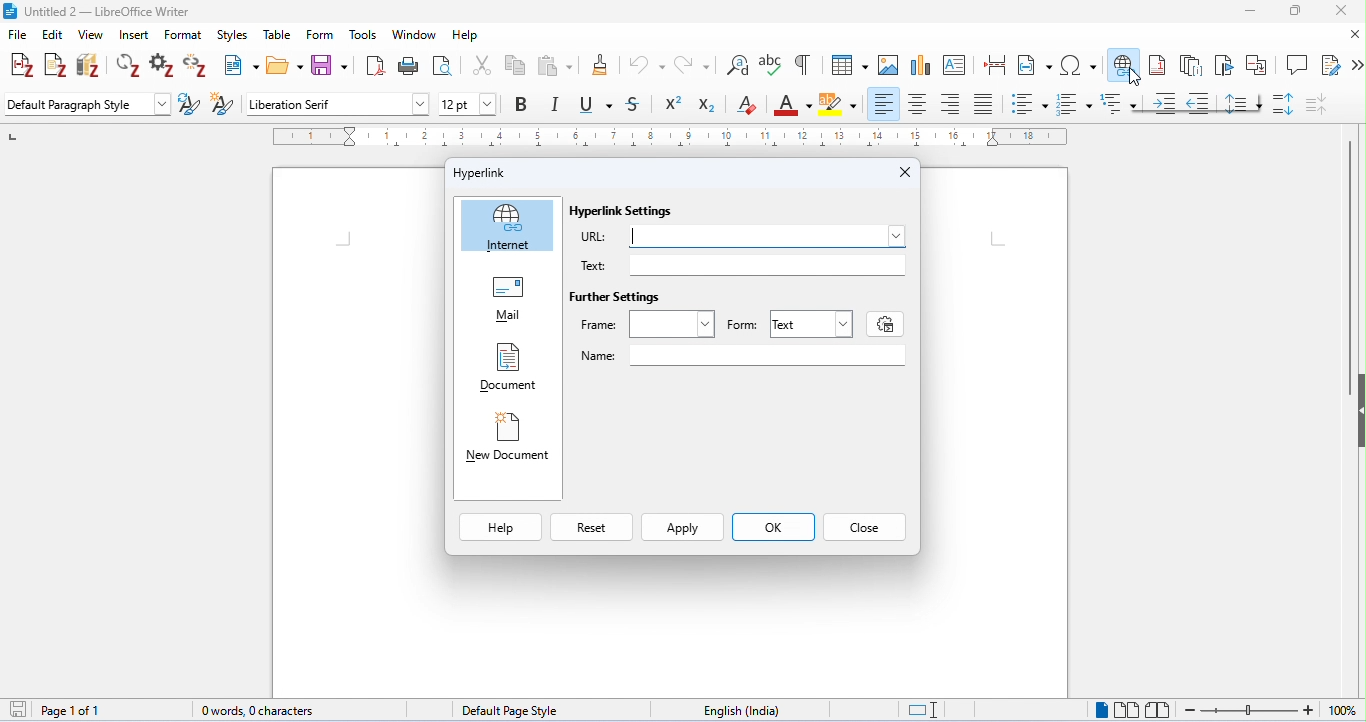 This screenshot has height=722, width=1366. Describe the element at coordinates (1227, 65) in the screenshot. I see `insert bookmark` at that location.